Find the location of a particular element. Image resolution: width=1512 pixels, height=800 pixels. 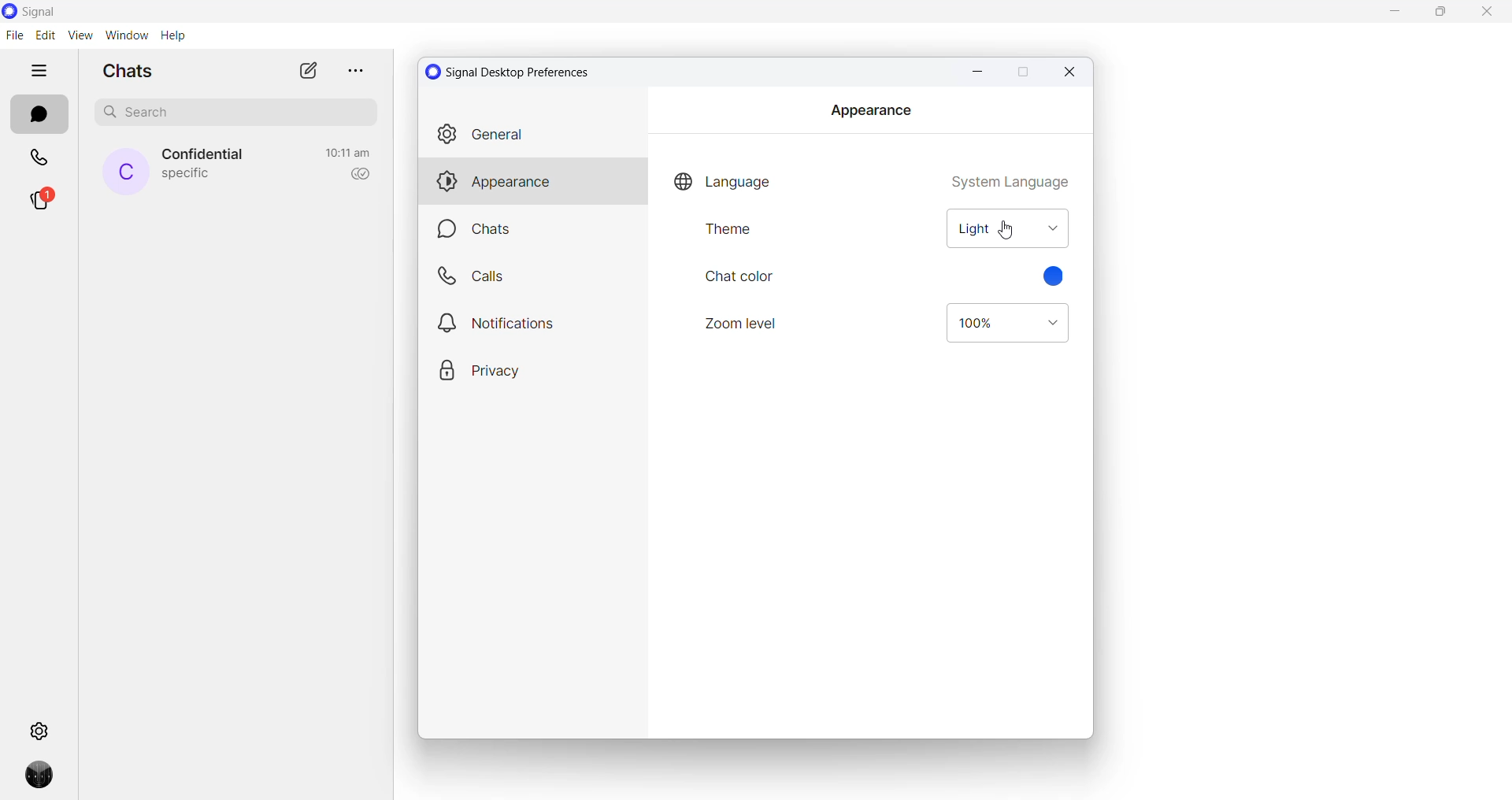

profile picture is located at coordinates (43, 780).